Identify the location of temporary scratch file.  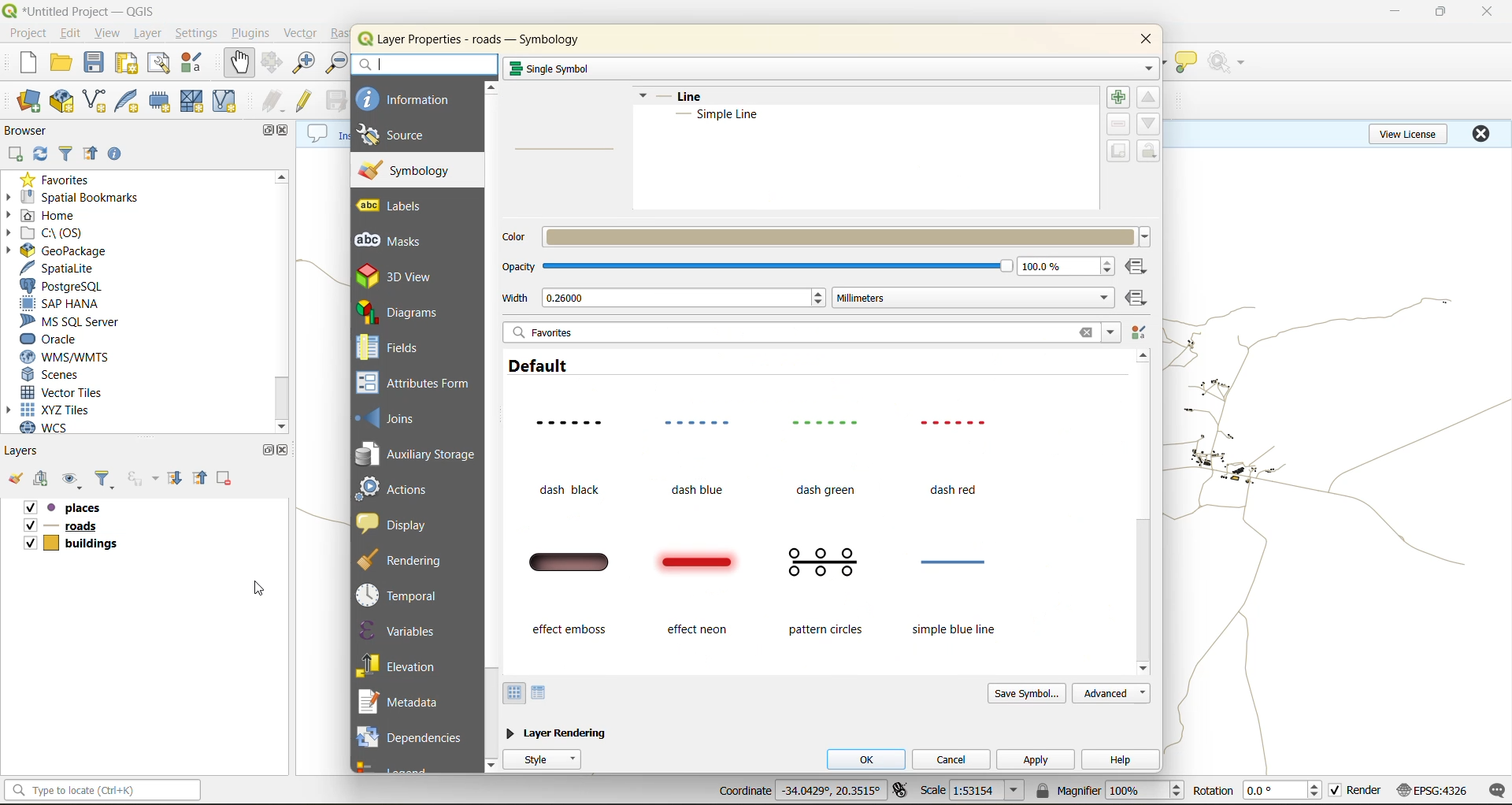
(161, 102).